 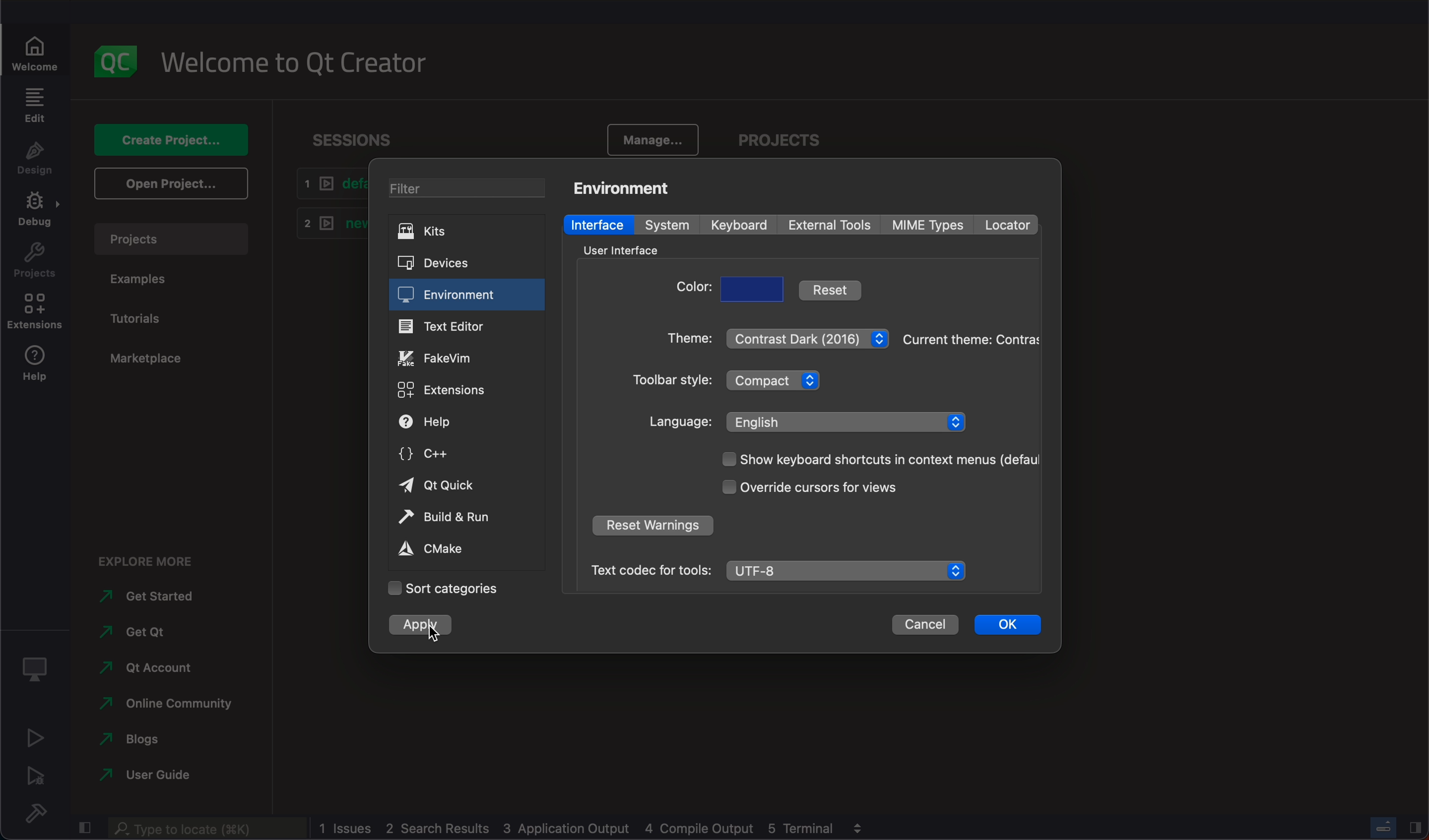 What do you see at coordinates (35, 776) in the screenshot?
I see `run debug` at bounding box center [35, 776].